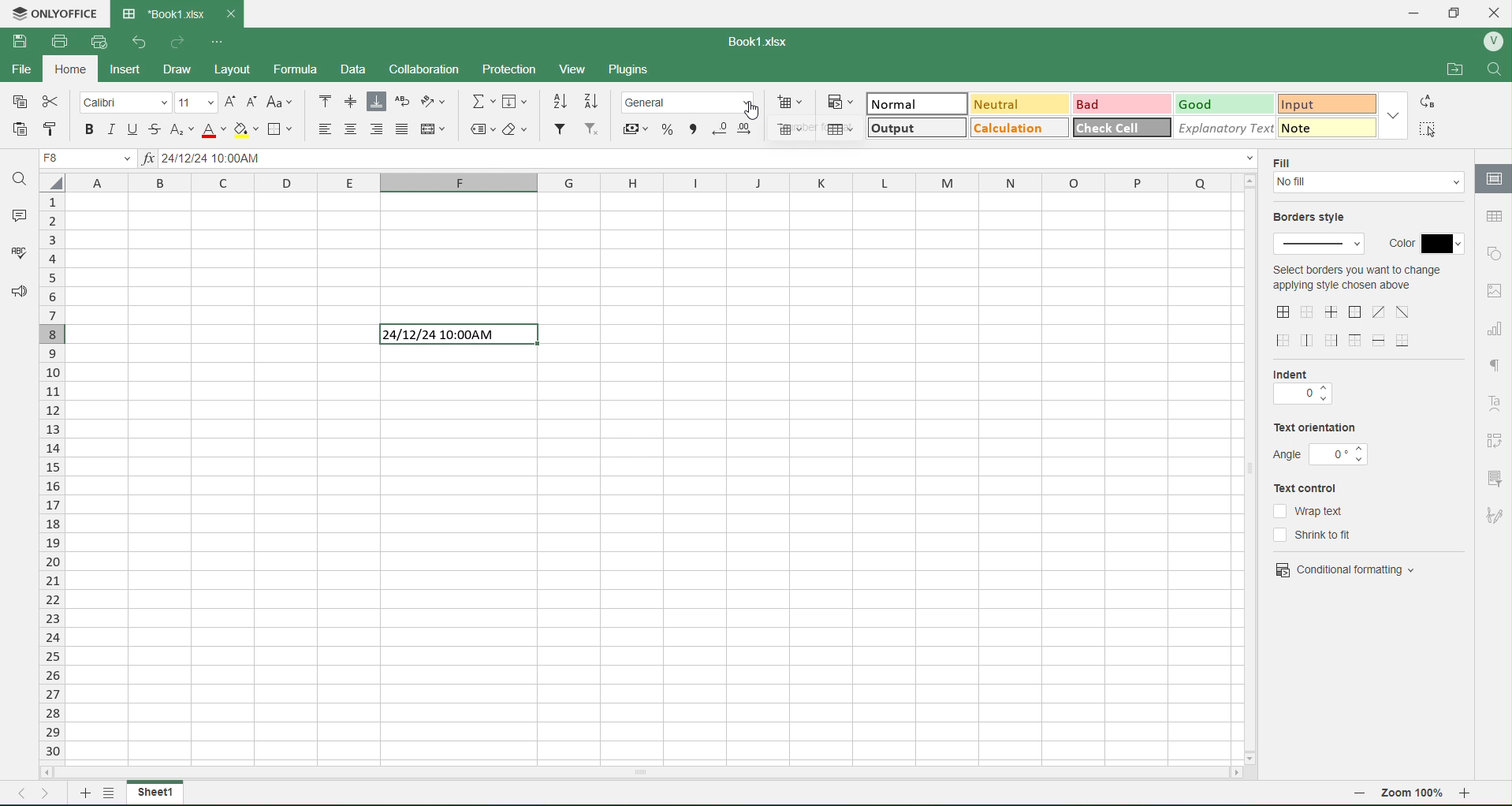 The height and width of the screenshot is (806, 1512). I want to click on Insert, so click(136, 69).